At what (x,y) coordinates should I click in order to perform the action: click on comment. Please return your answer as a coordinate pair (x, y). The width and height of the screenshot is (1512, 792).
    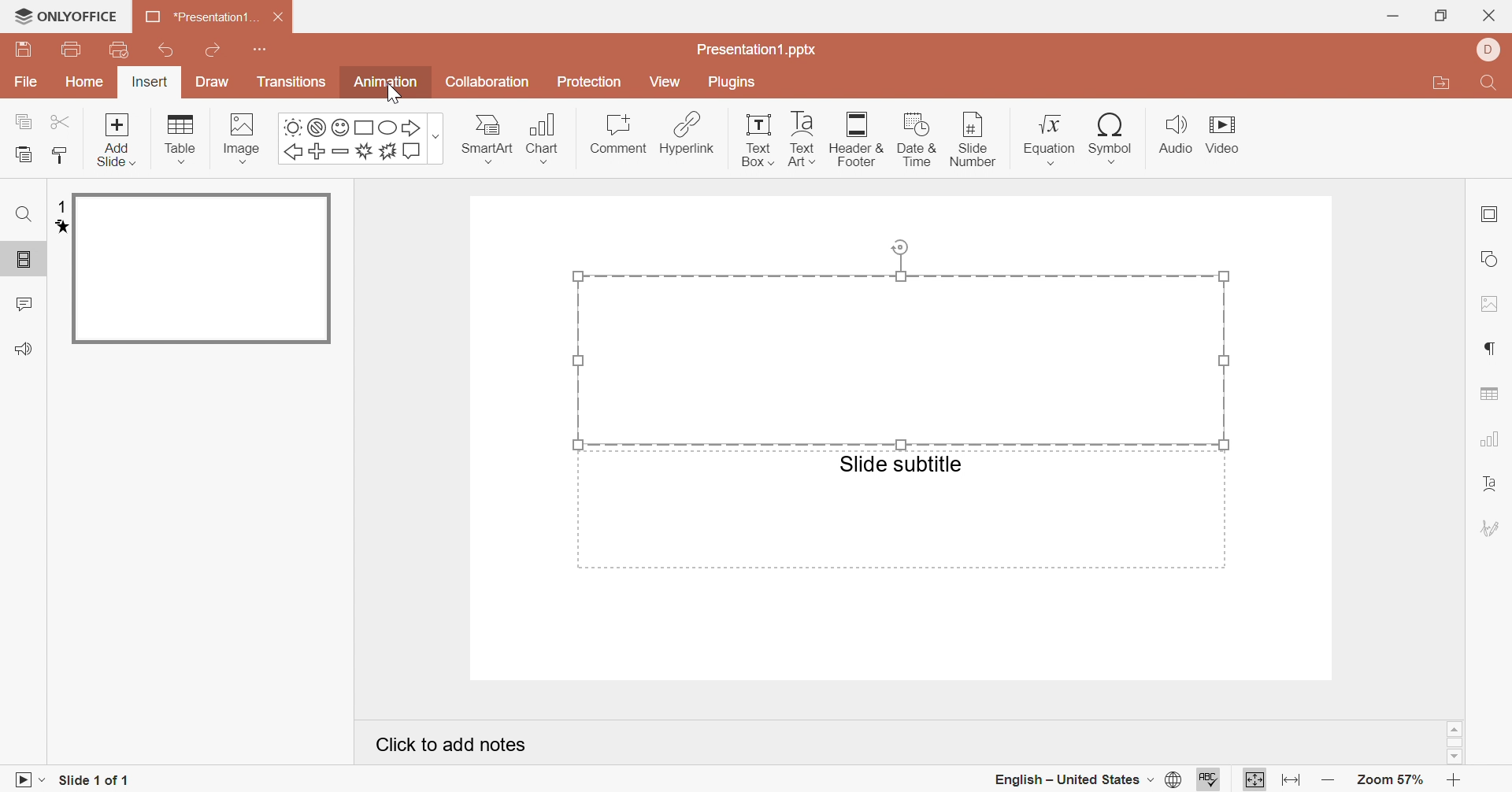
    Looking at the image, I should click on (619, 132).